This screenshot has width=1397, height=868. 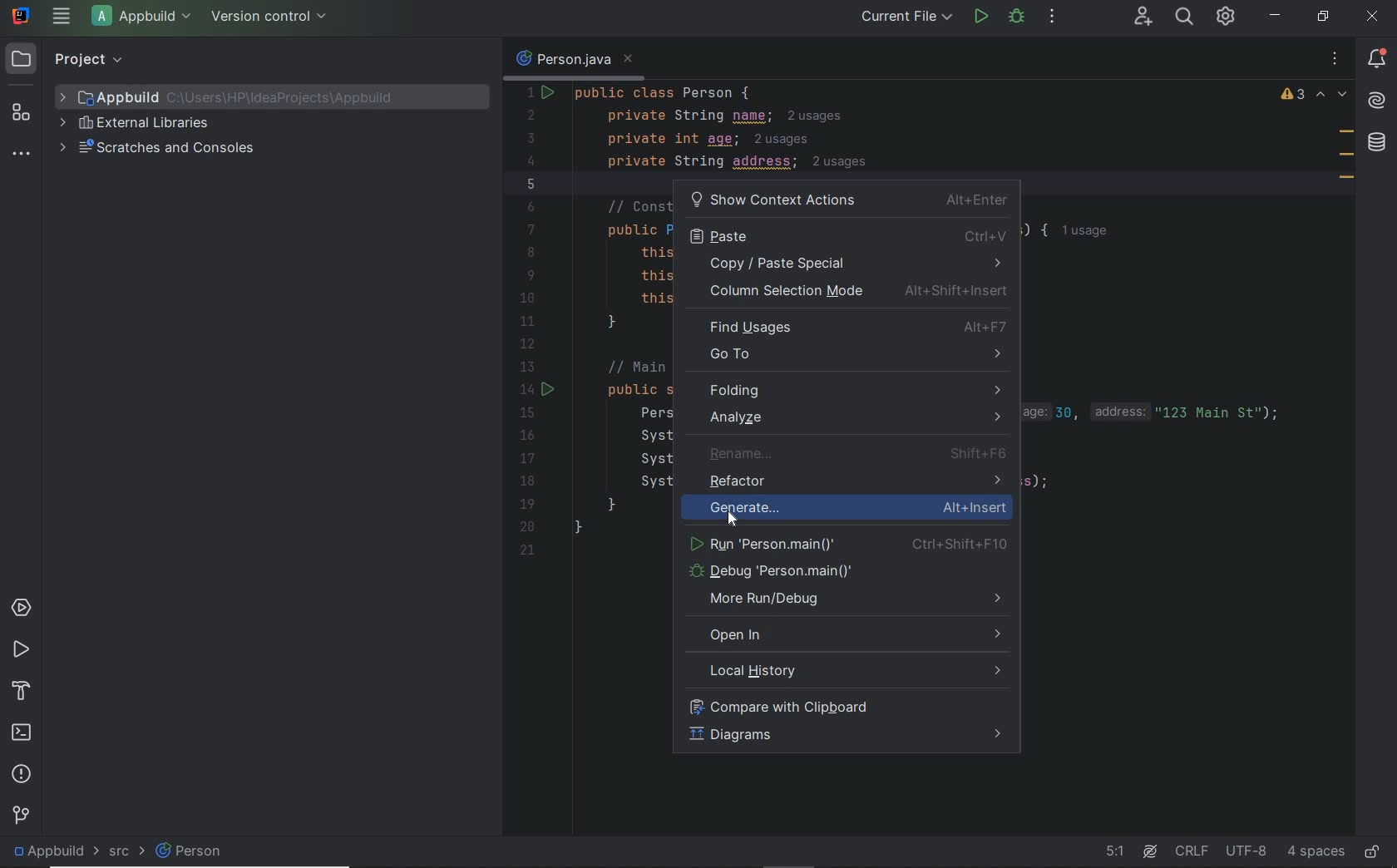 I want to click on more actions, so click(x=1052, y=18).